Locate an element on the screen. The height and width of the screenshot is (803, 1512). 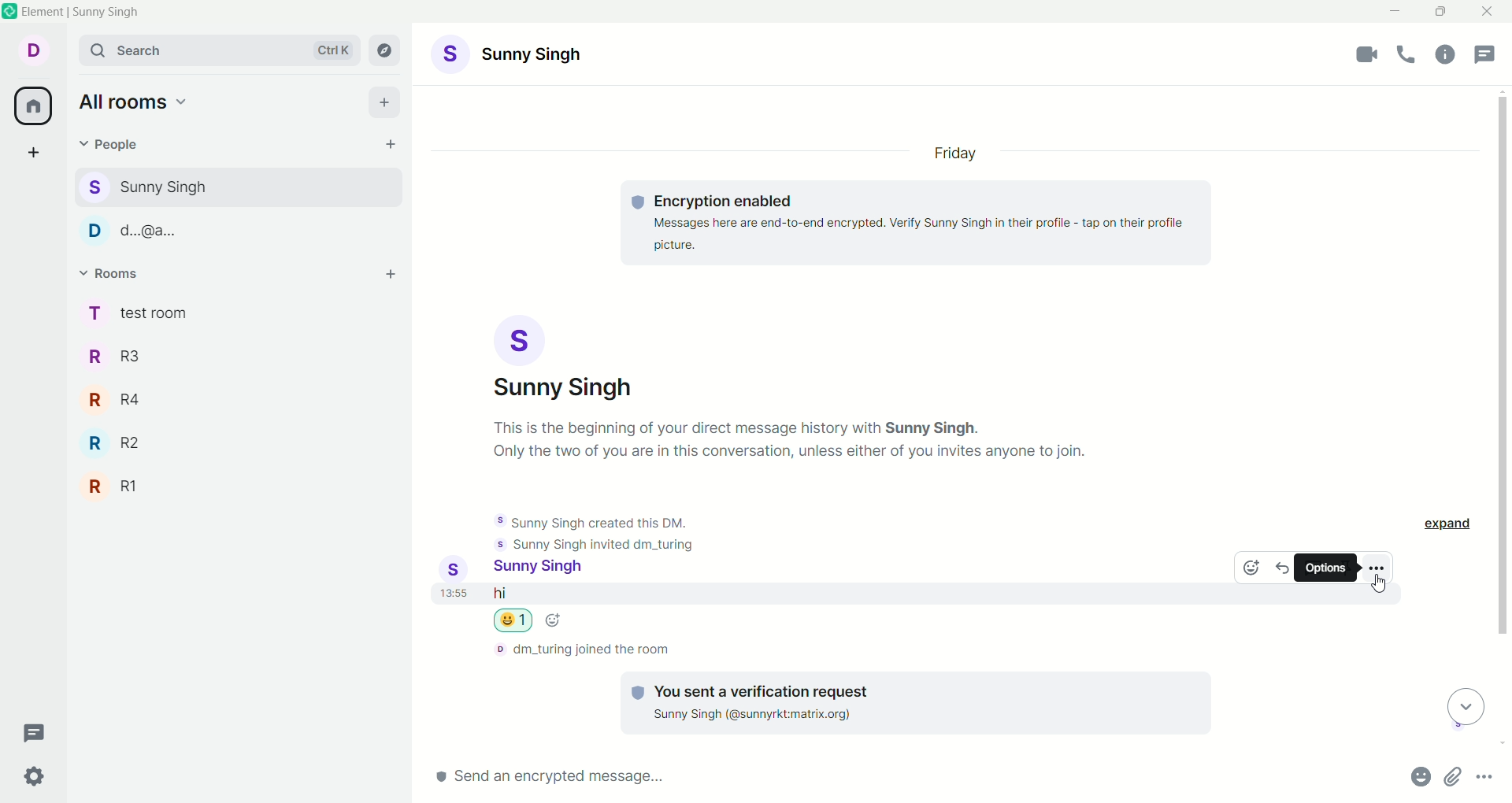
text is located at coordinates (580, 650).